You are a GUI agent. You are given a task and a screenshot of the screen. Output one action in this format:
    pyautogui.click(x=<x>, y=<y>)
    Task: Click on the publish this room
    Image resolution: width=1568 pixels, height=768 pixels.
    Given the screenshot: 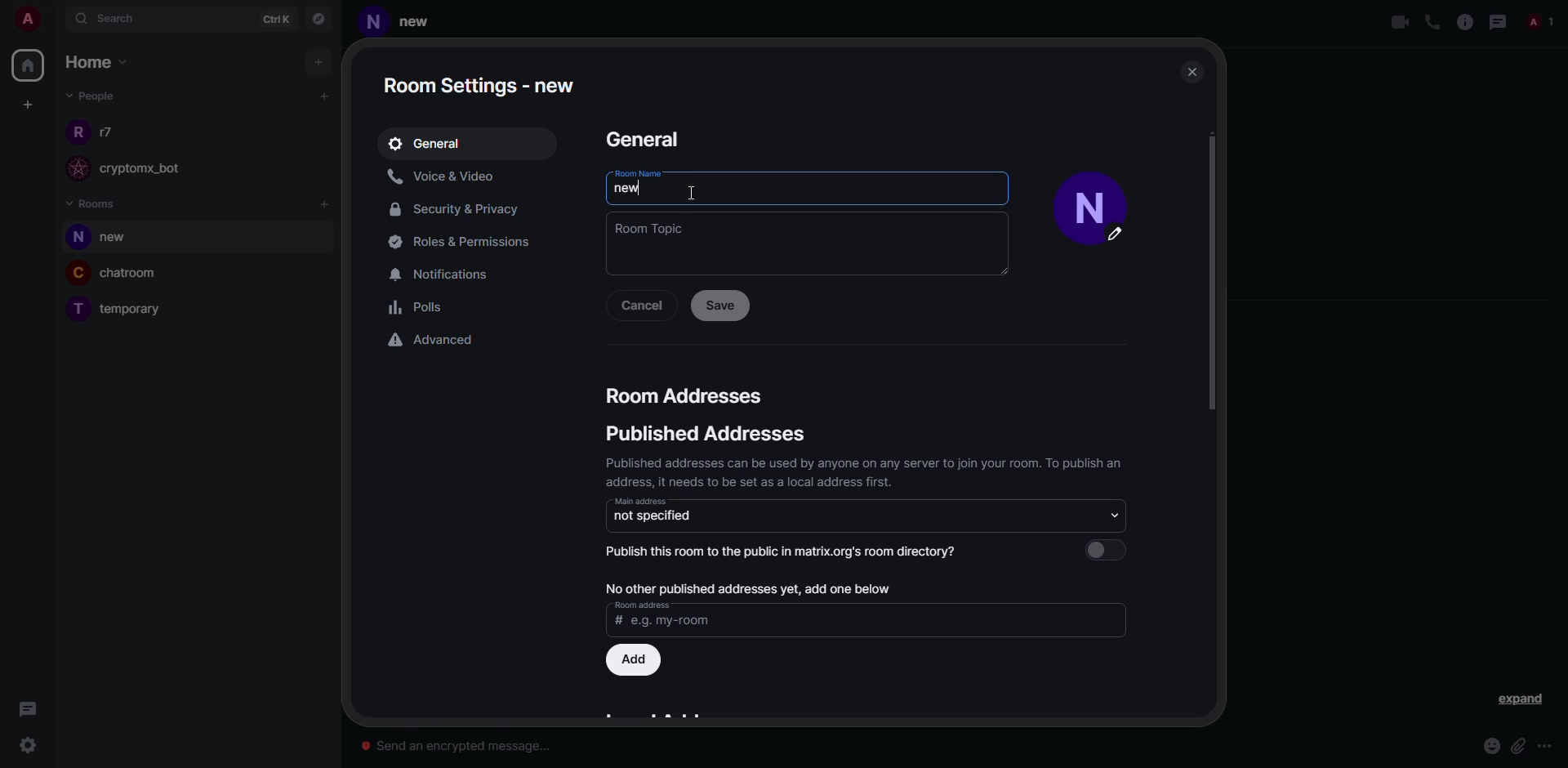 What is the action you would take?
    pyautogui.click(x=789, y=551)
    